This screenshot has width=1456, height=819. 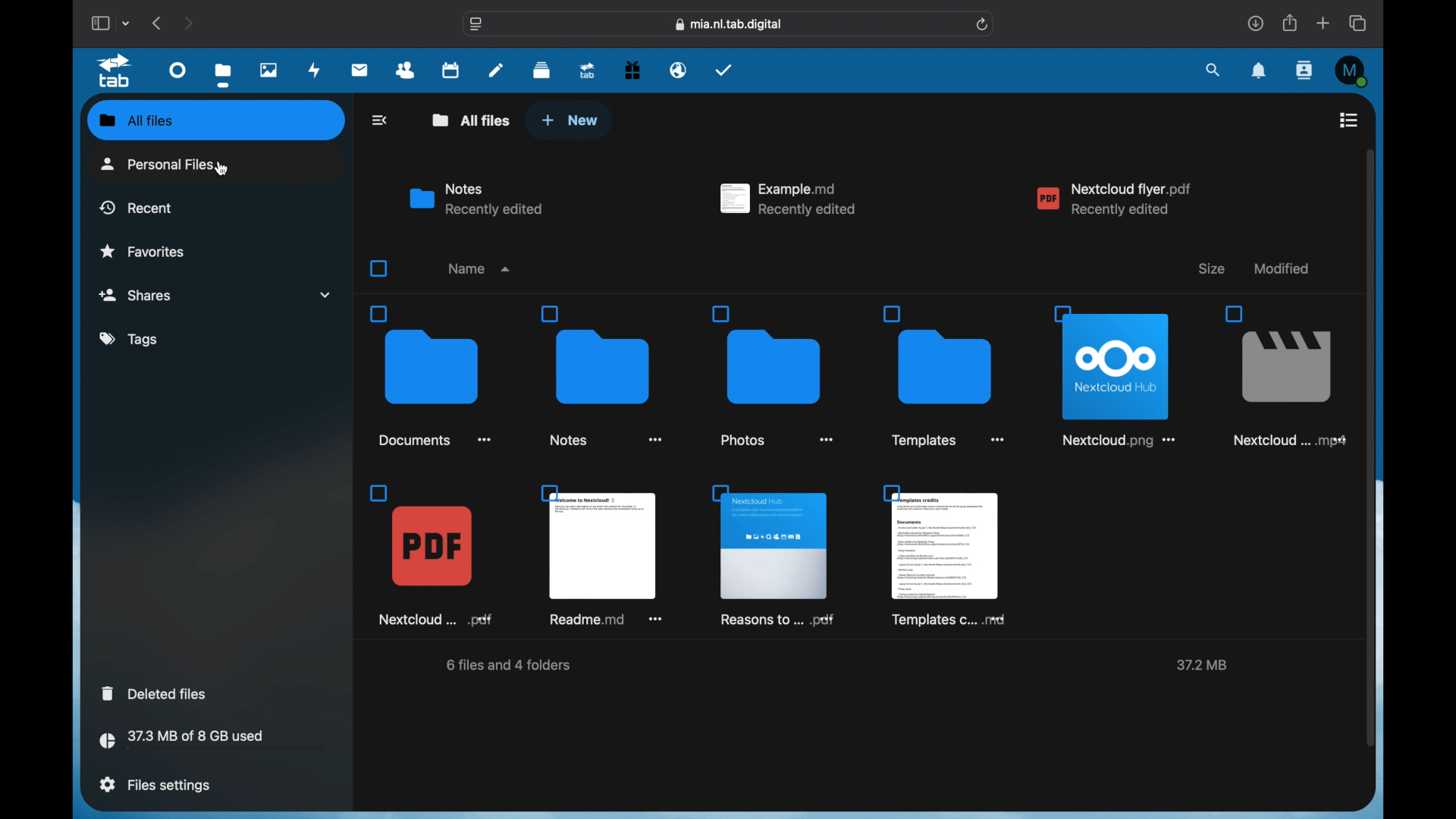 I want to click on recent, so click(x=136, y=207).